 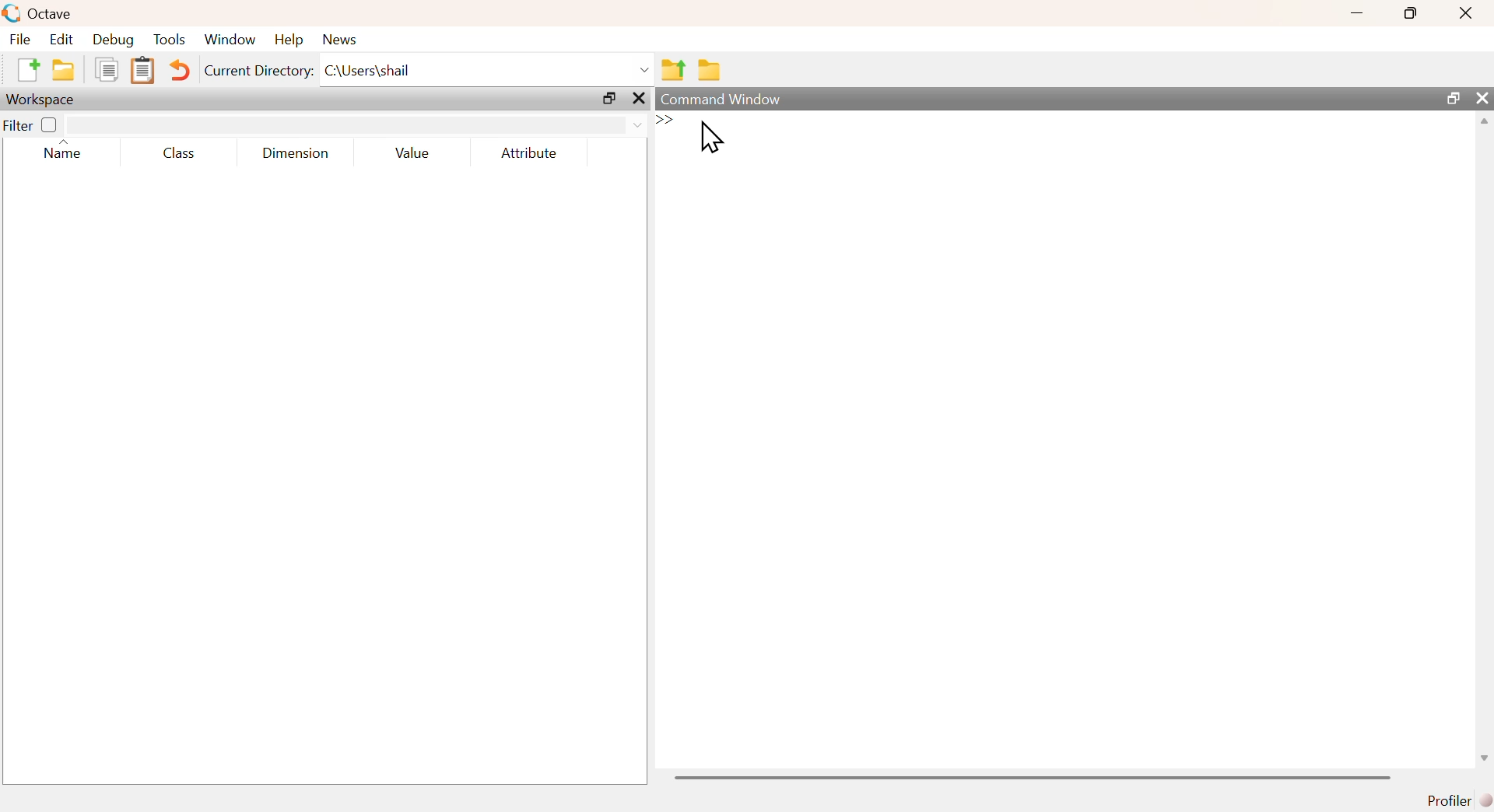 I want to click on profiler, so click(x=1455, y=800).